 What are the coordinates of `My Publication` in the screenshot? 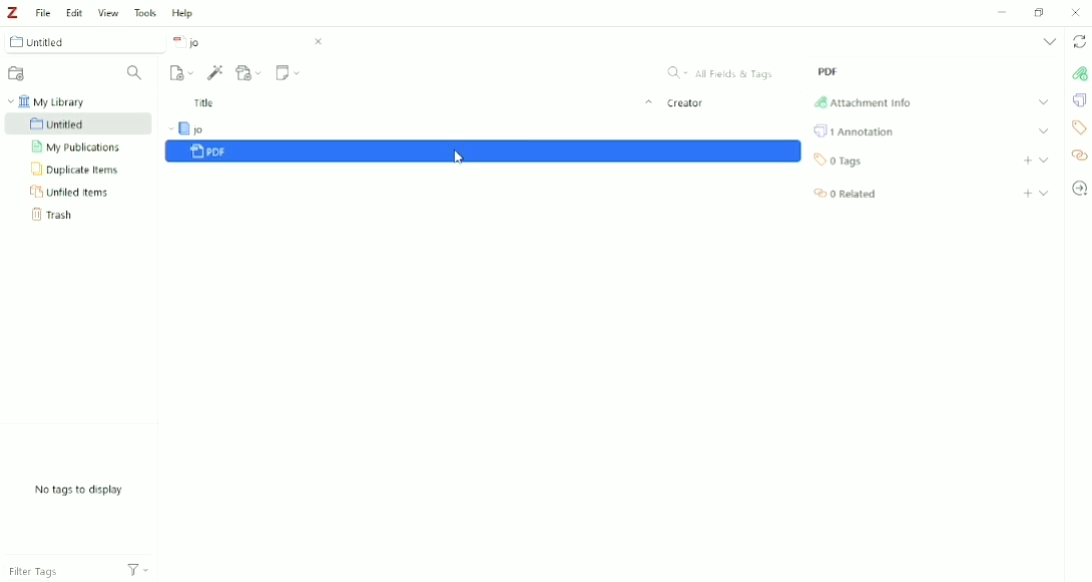 It's located at (81, 147).